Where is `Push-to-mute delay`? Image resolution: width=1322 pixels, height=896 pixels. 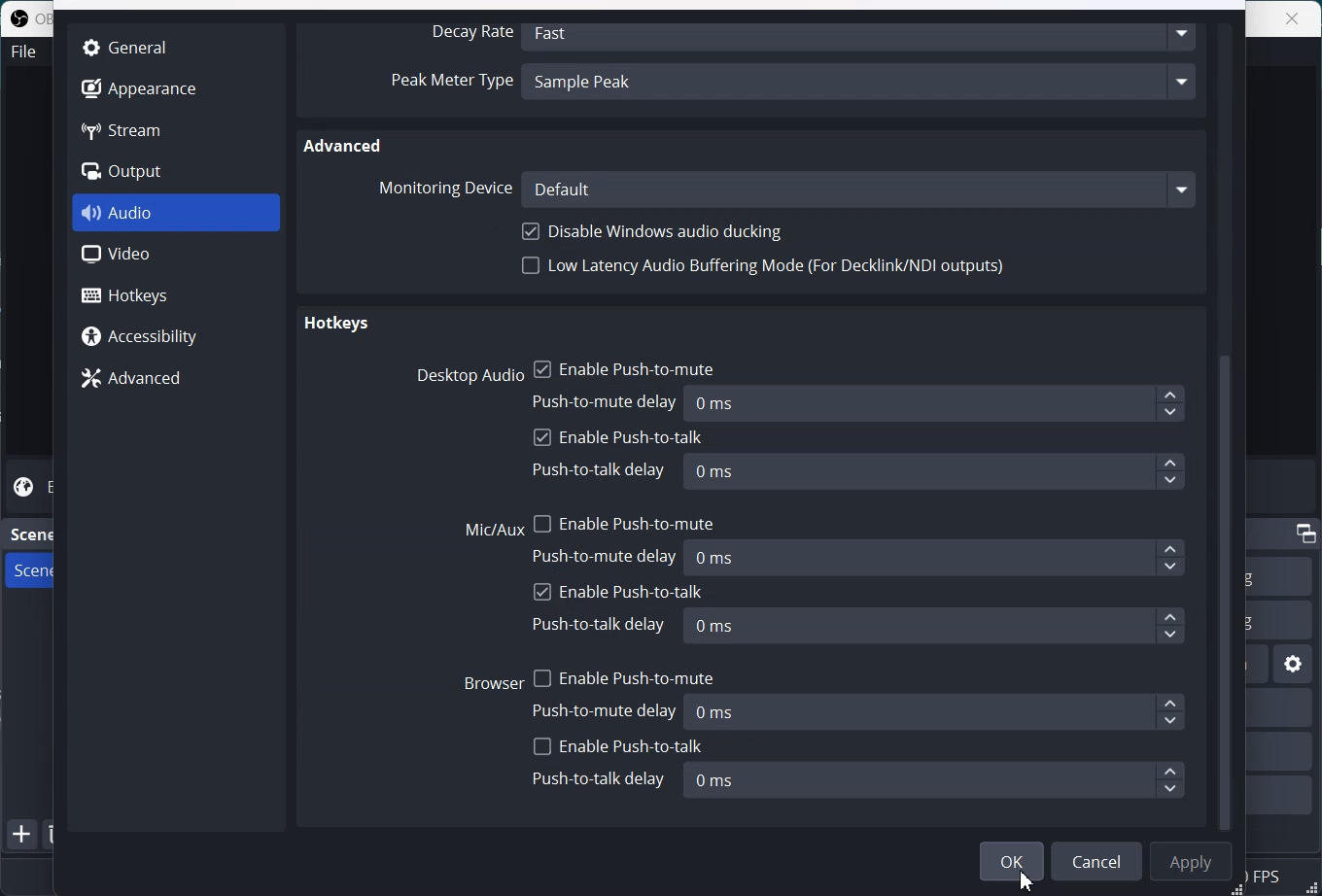
Push-to-mute delay is located at coordinates (607, 399).